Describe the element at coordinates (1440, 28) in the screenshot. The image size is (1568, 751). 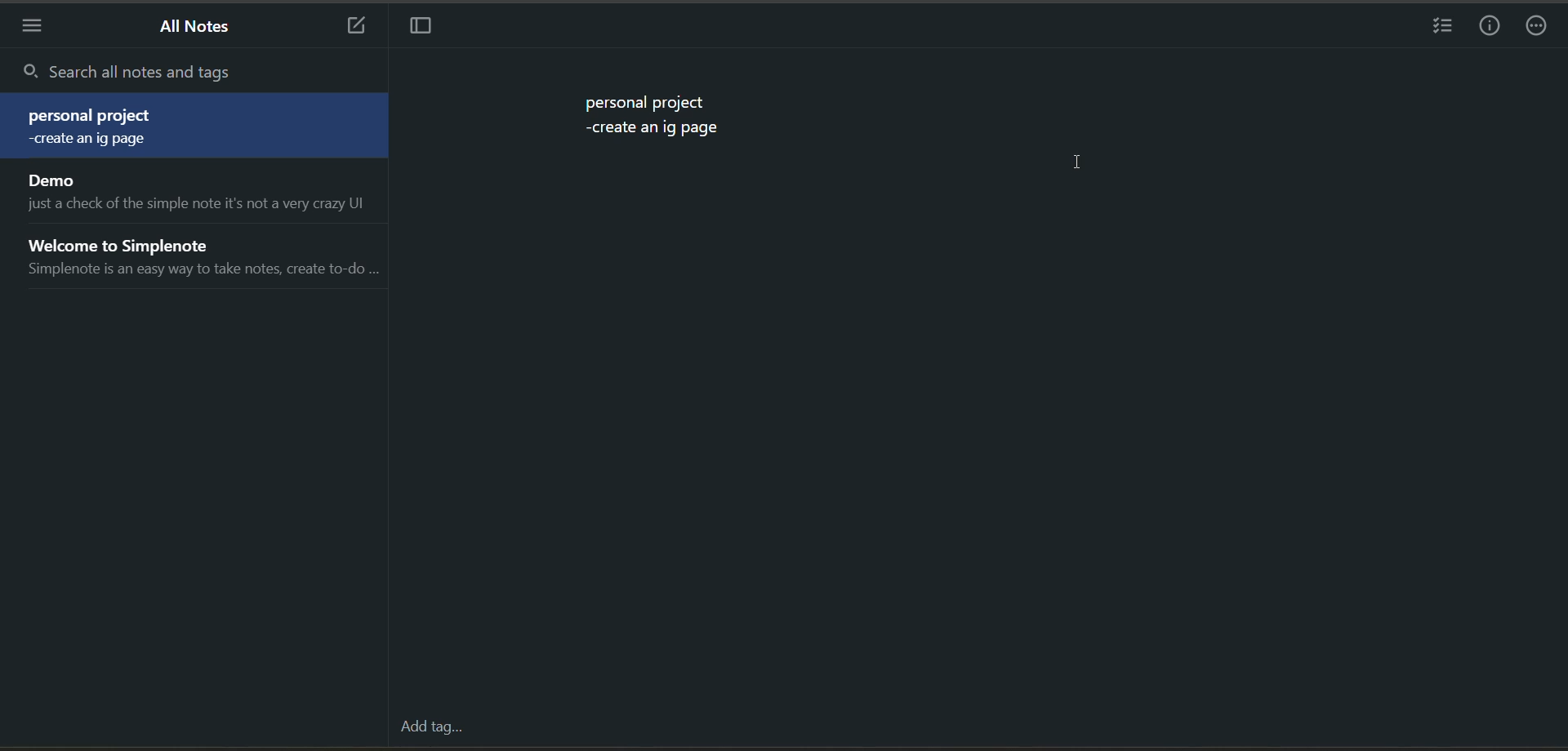
I see `insert checklist` at that location.